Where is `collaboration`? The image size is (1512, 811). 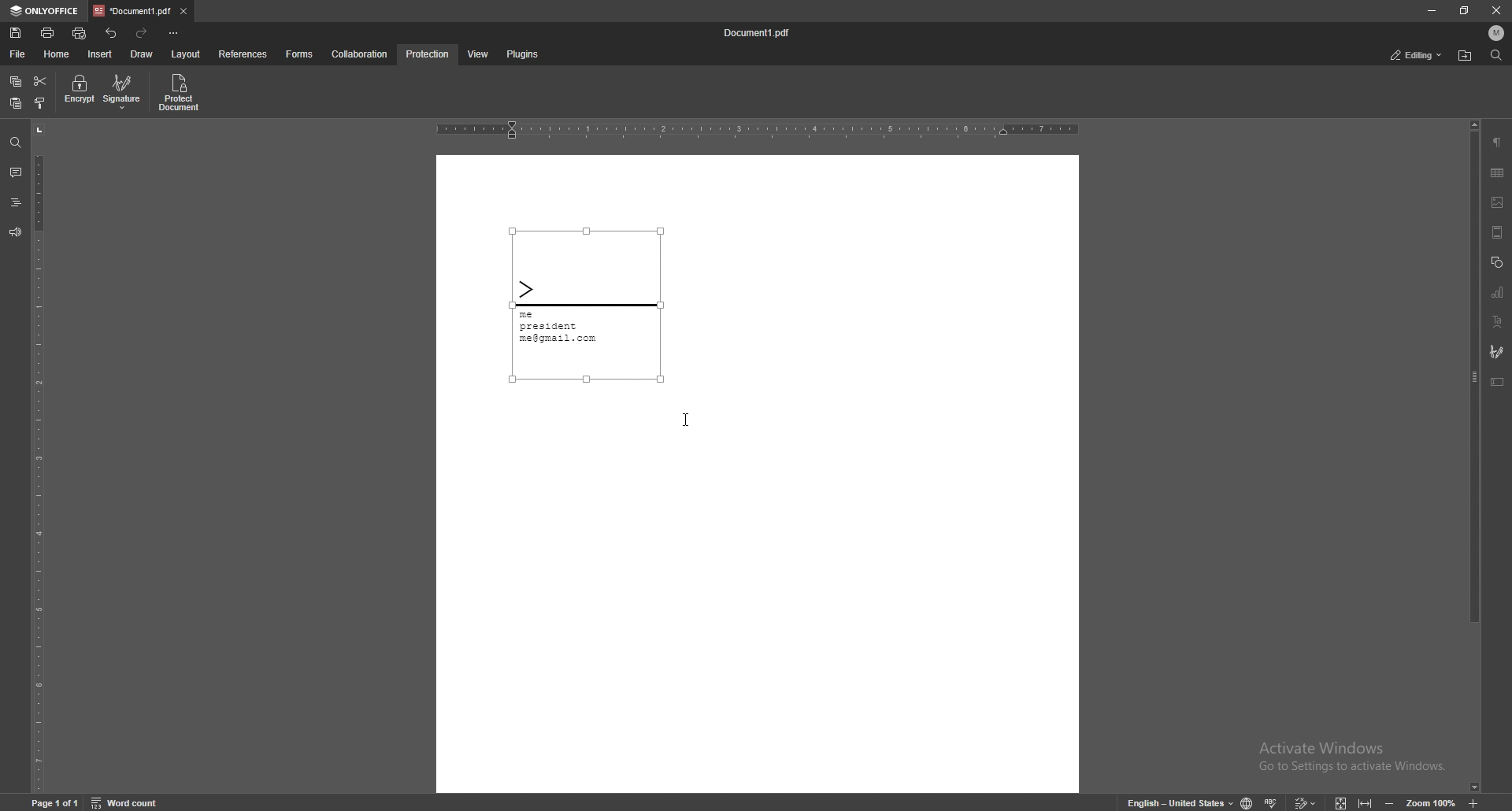
collaboration is located at coordinates (361, 54).